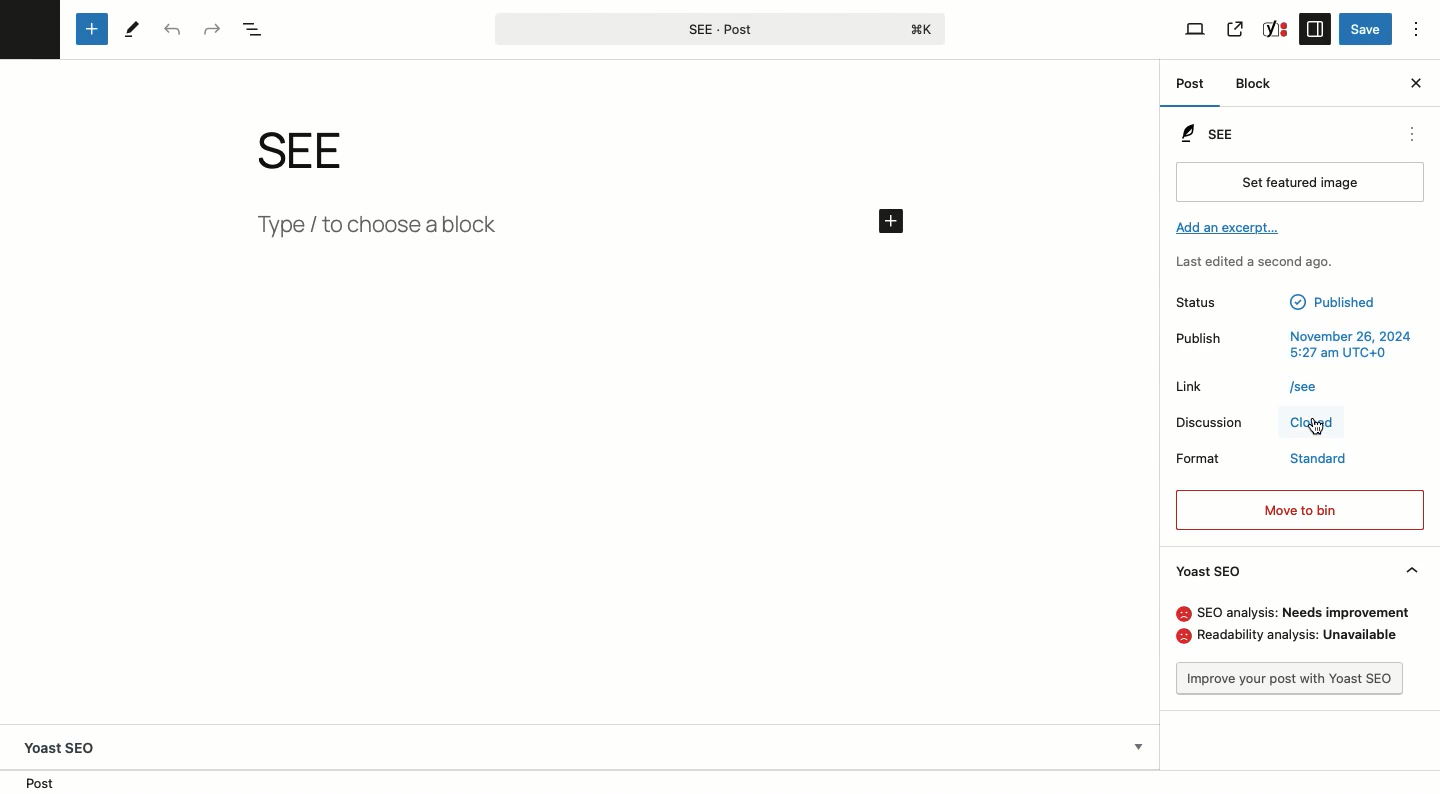 This screenshot has height=794, width=1440. I want to click on Tools, so click(133, 30).